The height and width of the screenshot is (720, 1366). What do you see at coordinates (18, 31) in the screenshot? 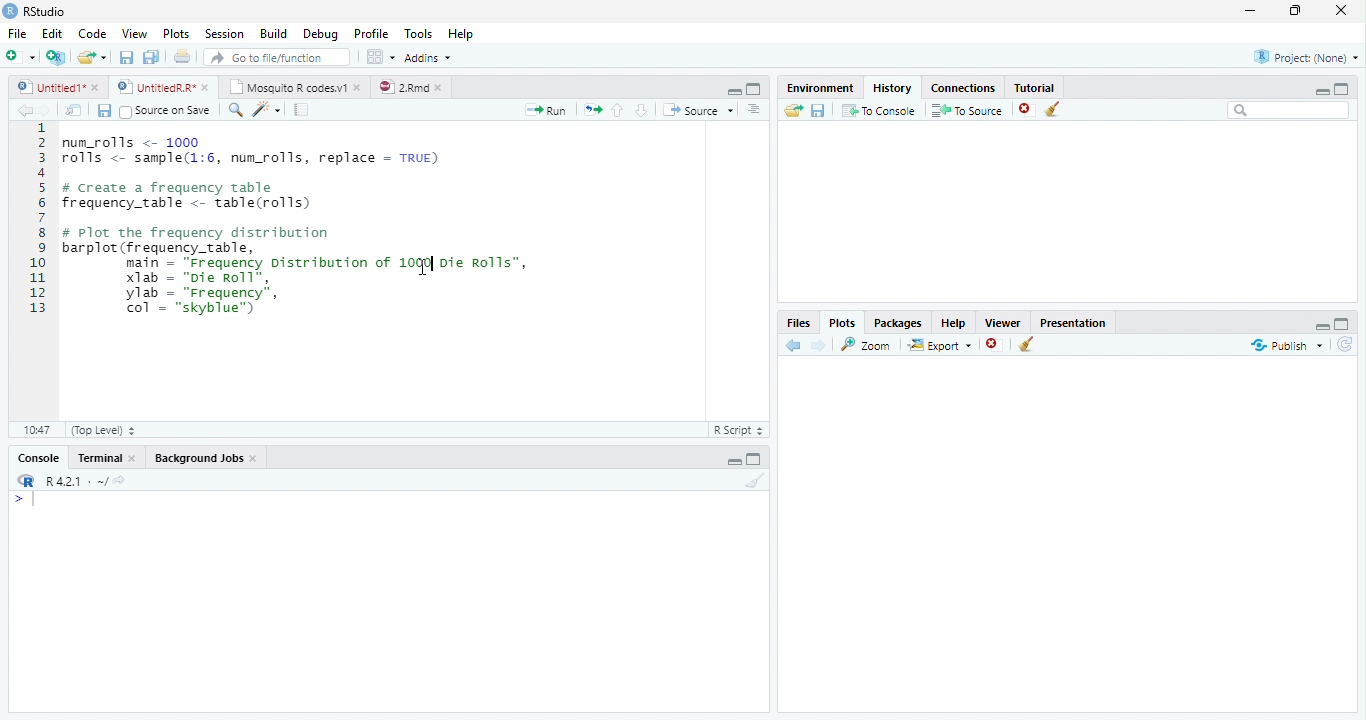
I see `File` at bounding box center [18, 31].